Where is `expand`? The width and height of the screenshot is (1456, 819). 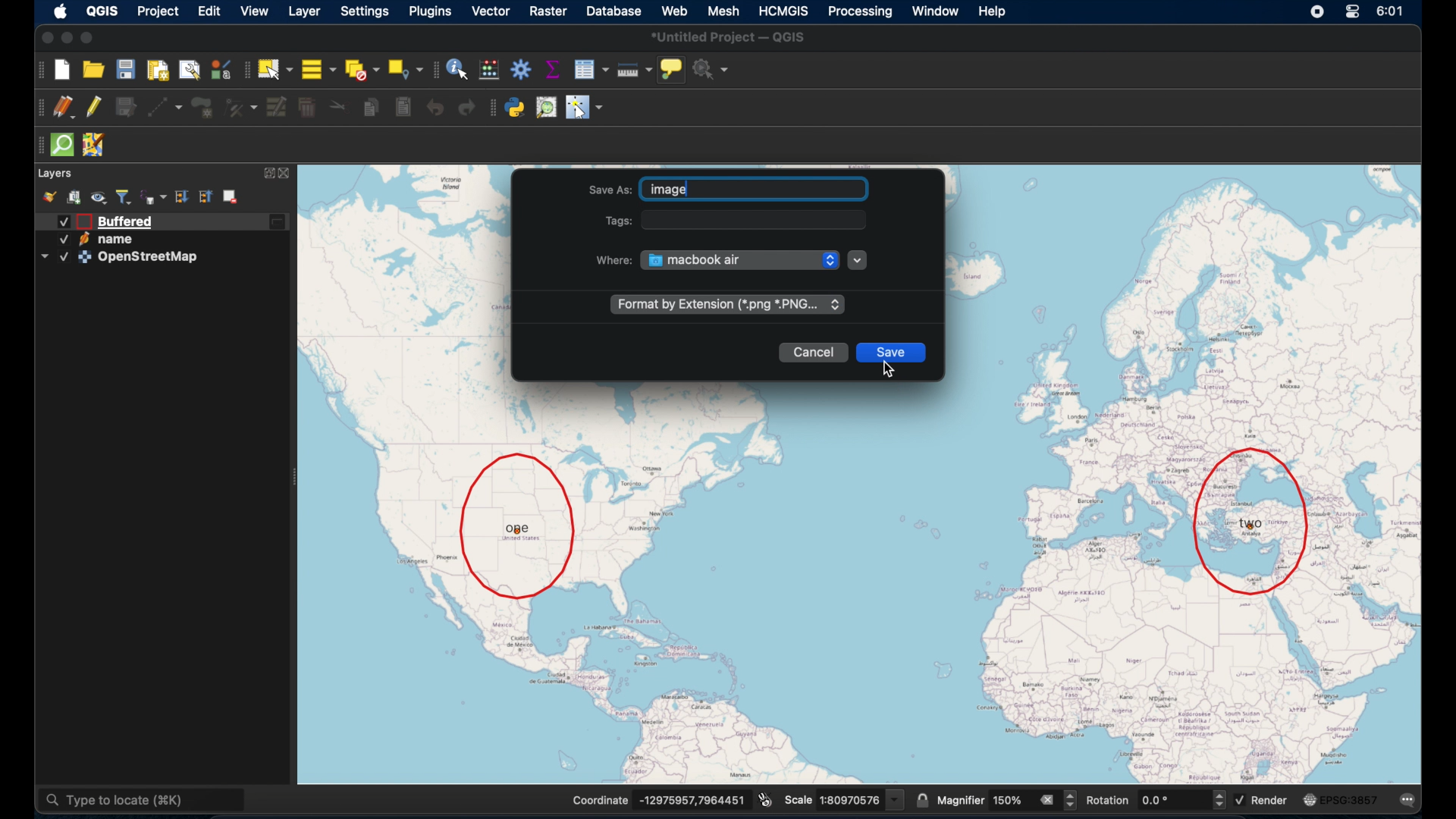 expand is located at coordinates (267, 174).